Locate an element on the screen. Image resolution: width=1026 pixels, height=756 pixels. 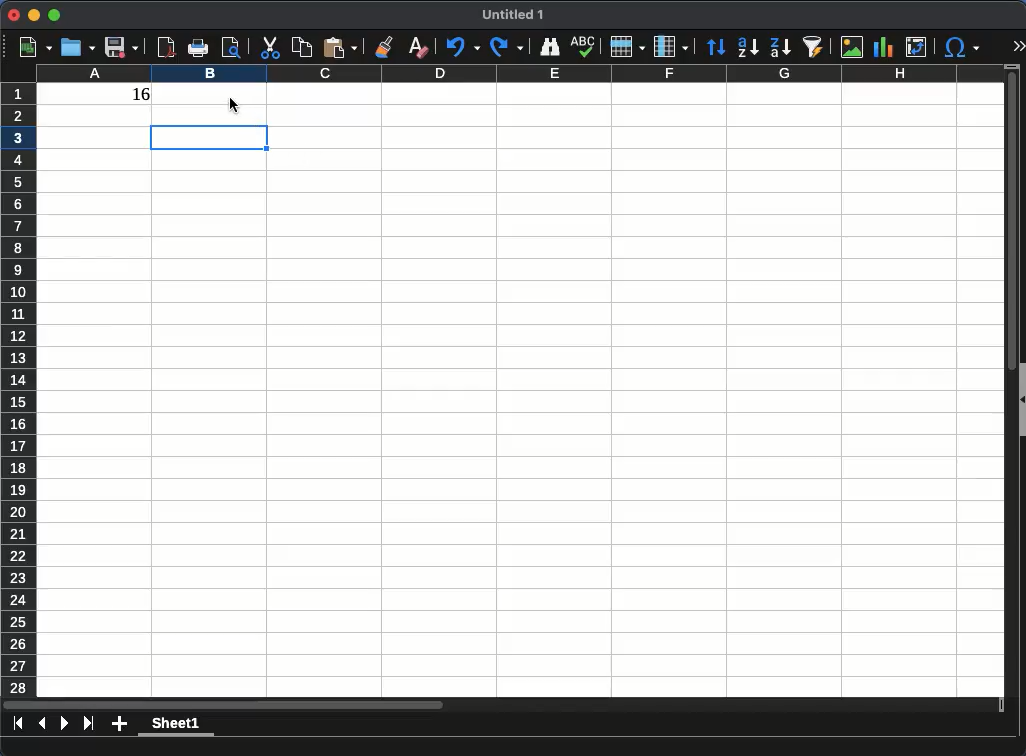
descending is located at coordinates (780, 48).